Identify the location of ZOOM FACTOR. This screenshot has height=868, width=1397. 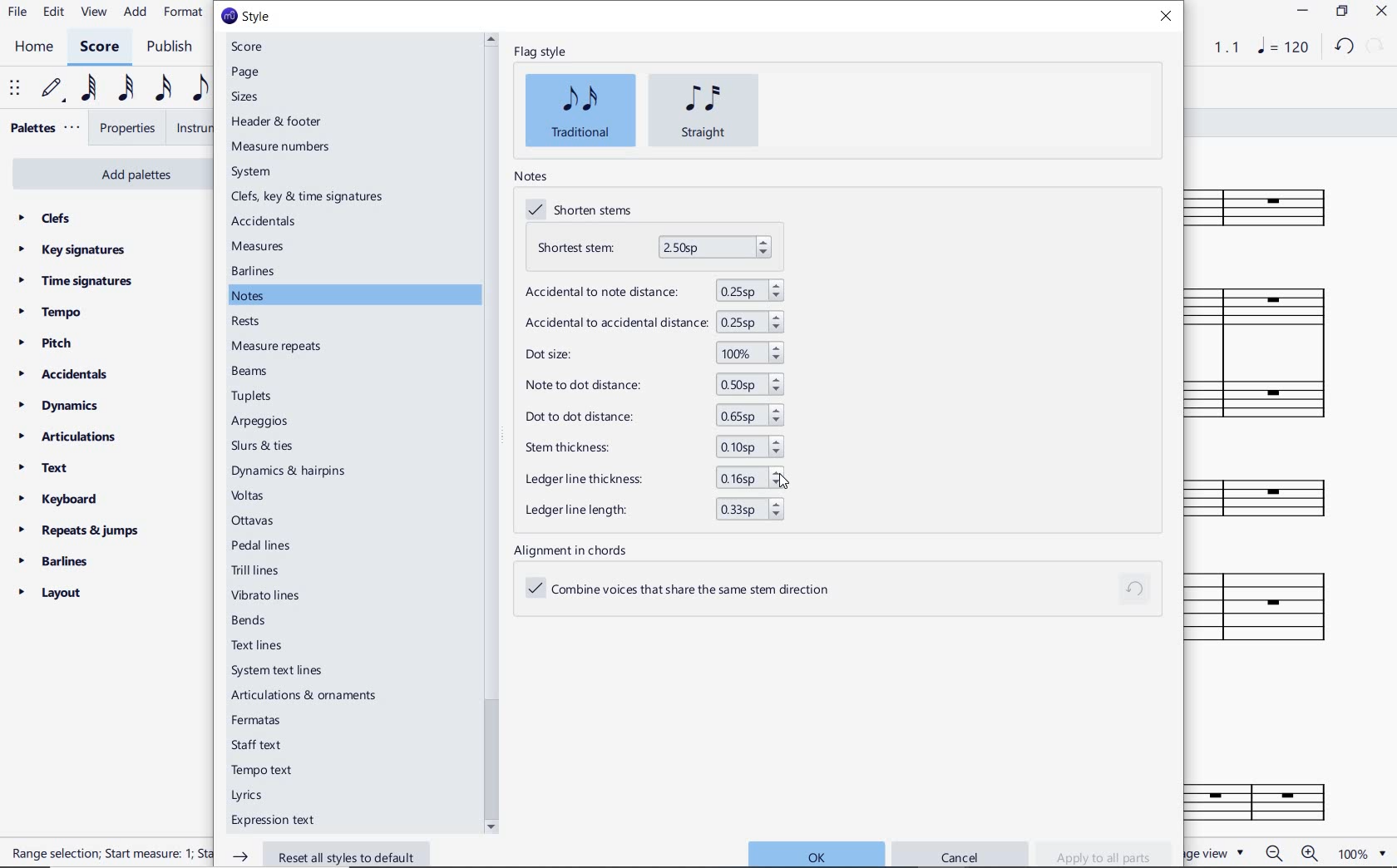
(1362, 852).